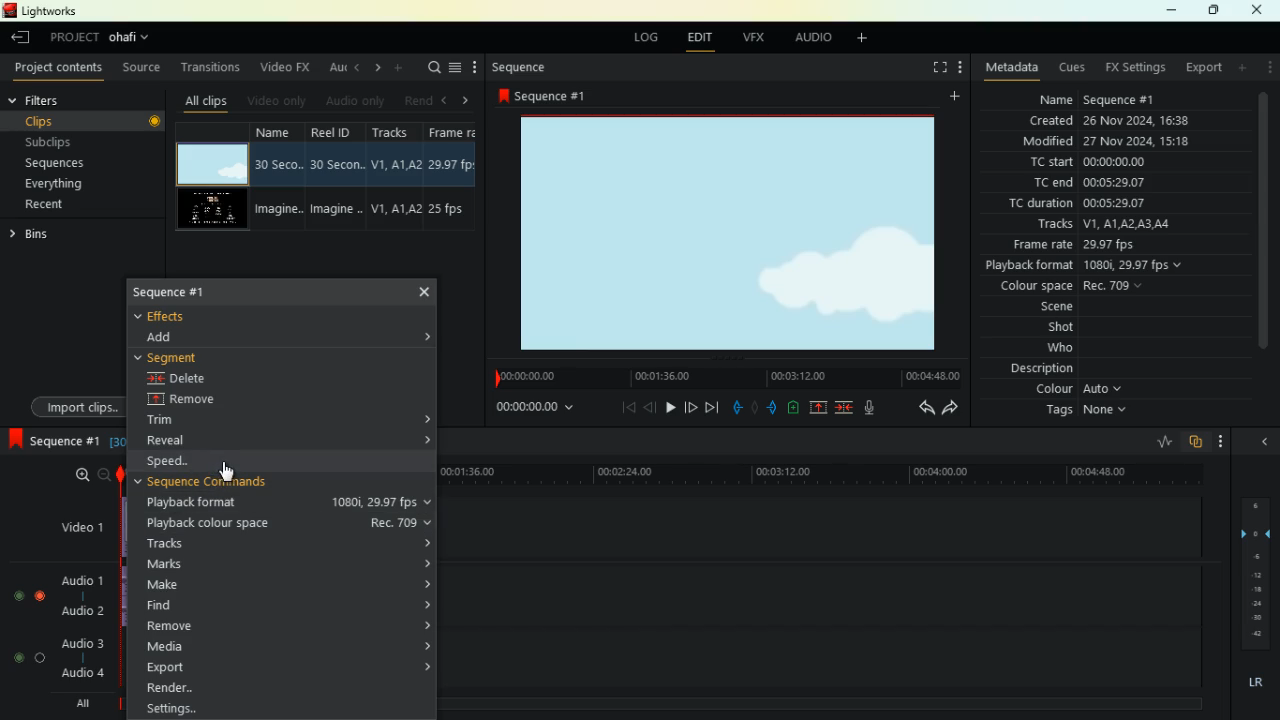 The width and height of the screenshot is (1280, 720). What do you see at coordinates (477, 68) in the screenshot?
I see `more` at bounding box center [477, 68].